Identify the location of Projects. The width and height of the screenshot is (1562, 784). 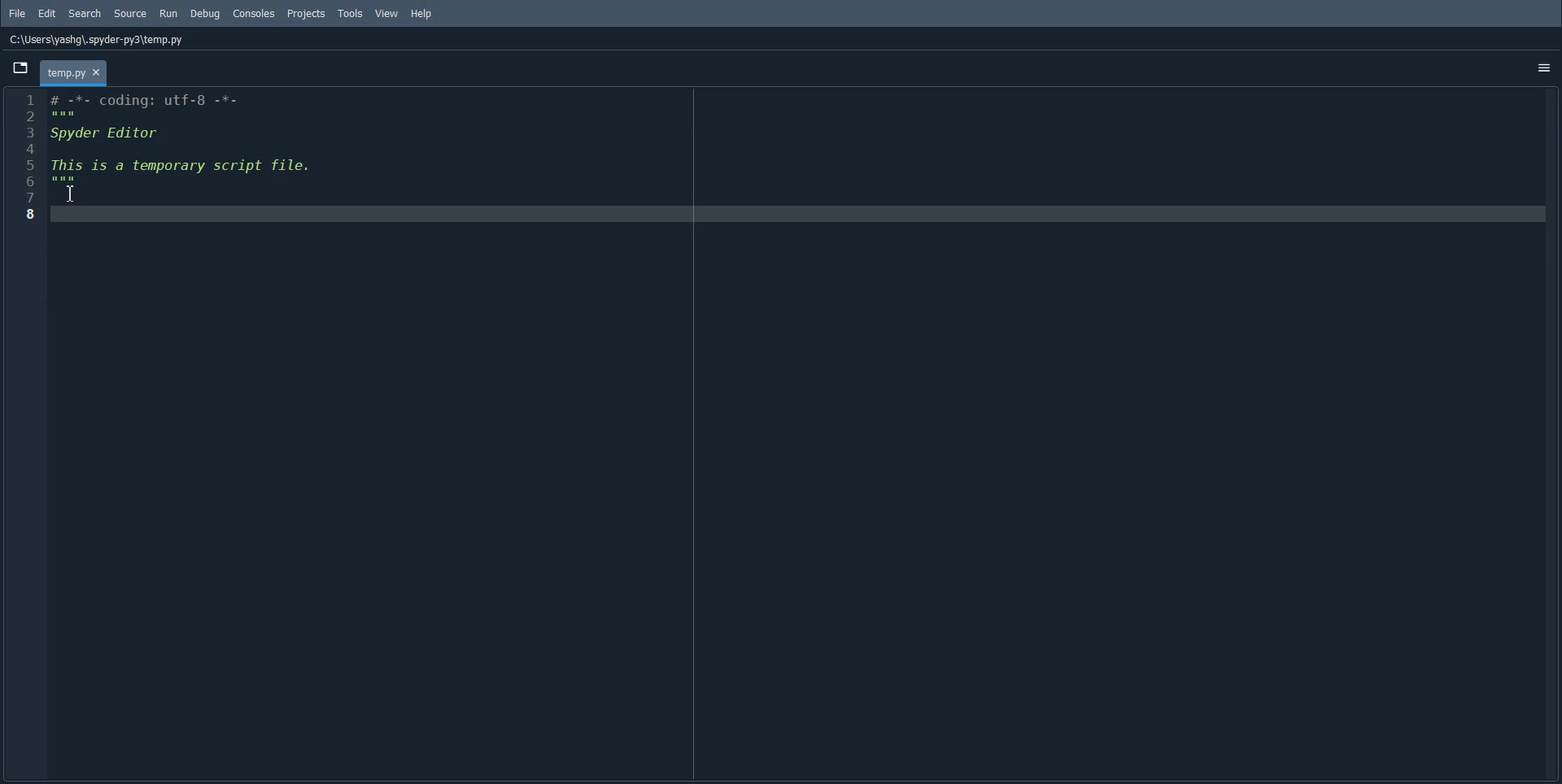
(306, 14).